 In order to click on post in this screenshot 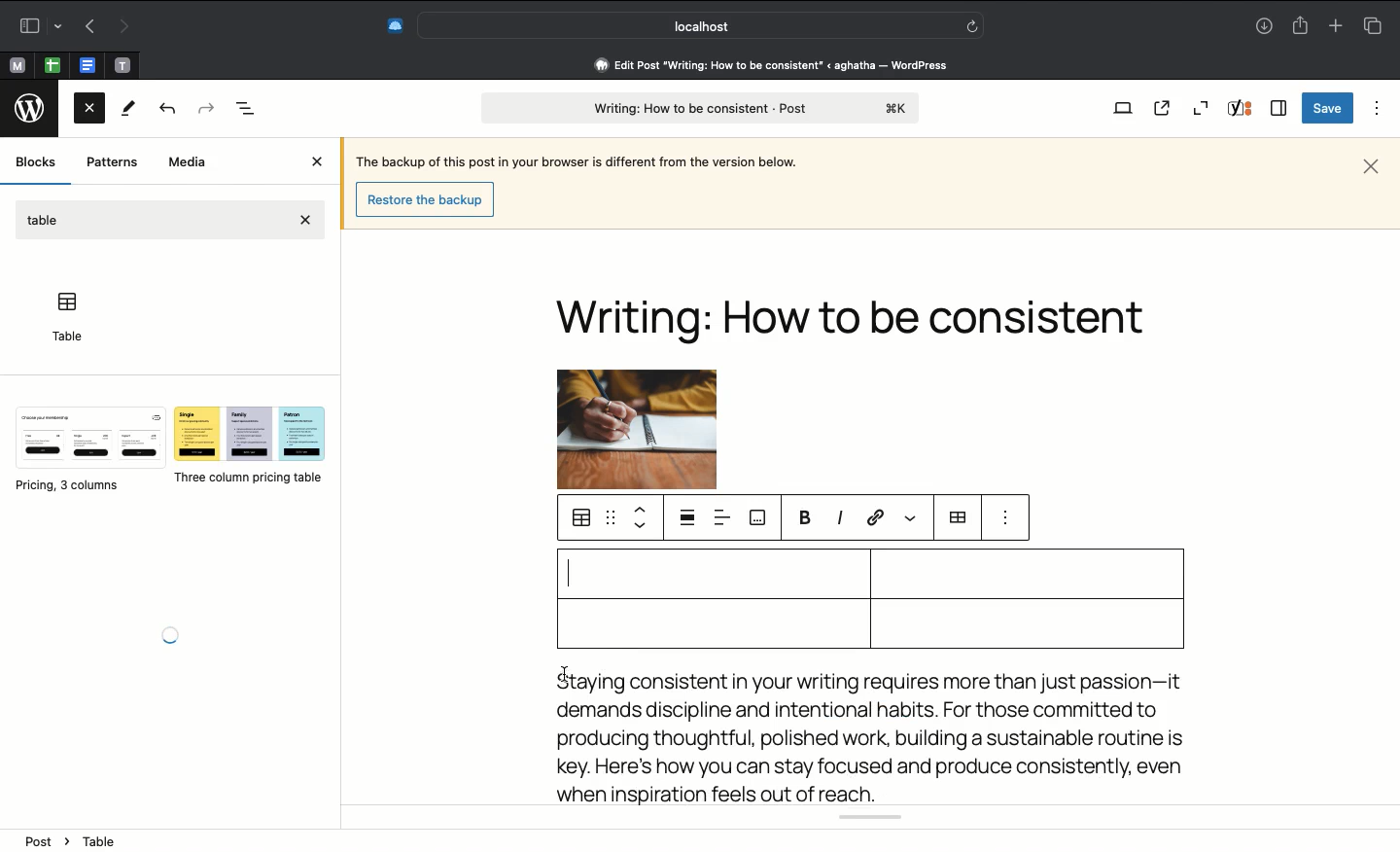, I will do `click(701, 108)`.